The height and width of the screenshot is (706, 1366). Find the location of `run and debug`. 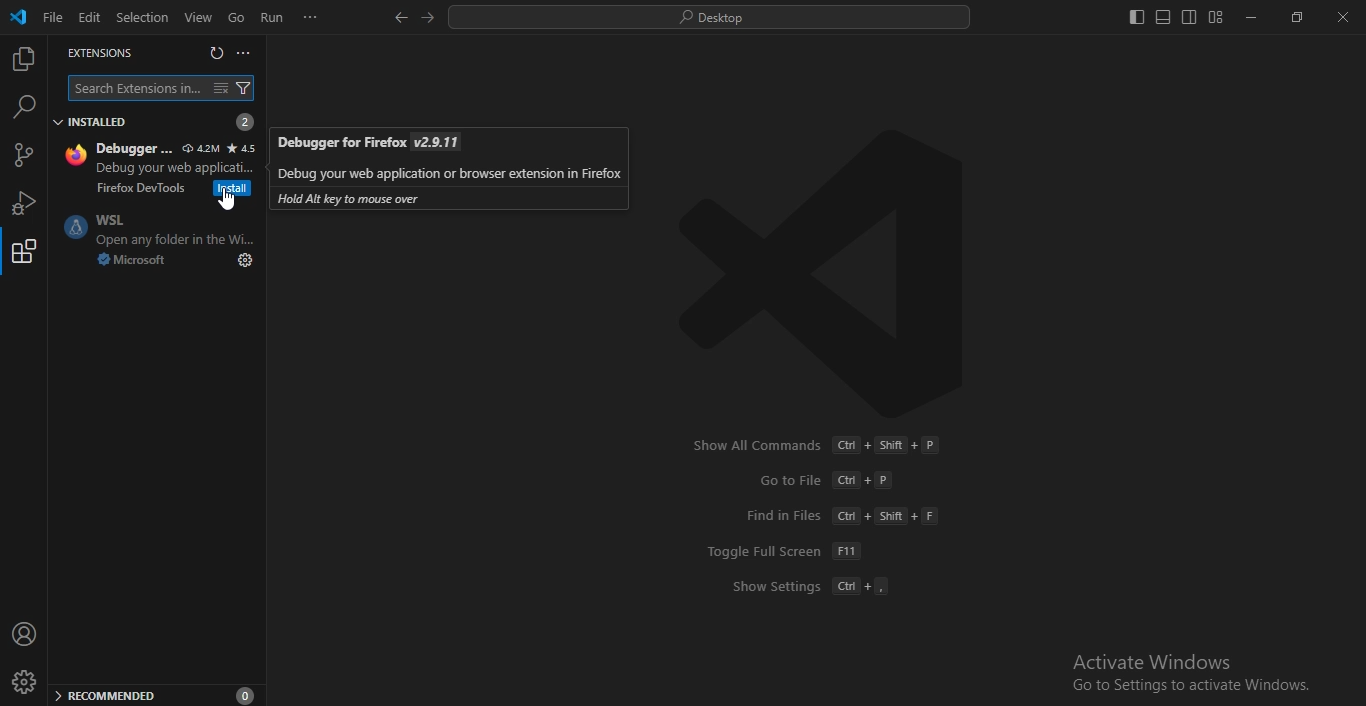

run and debug is located at coordinates (22, 201).